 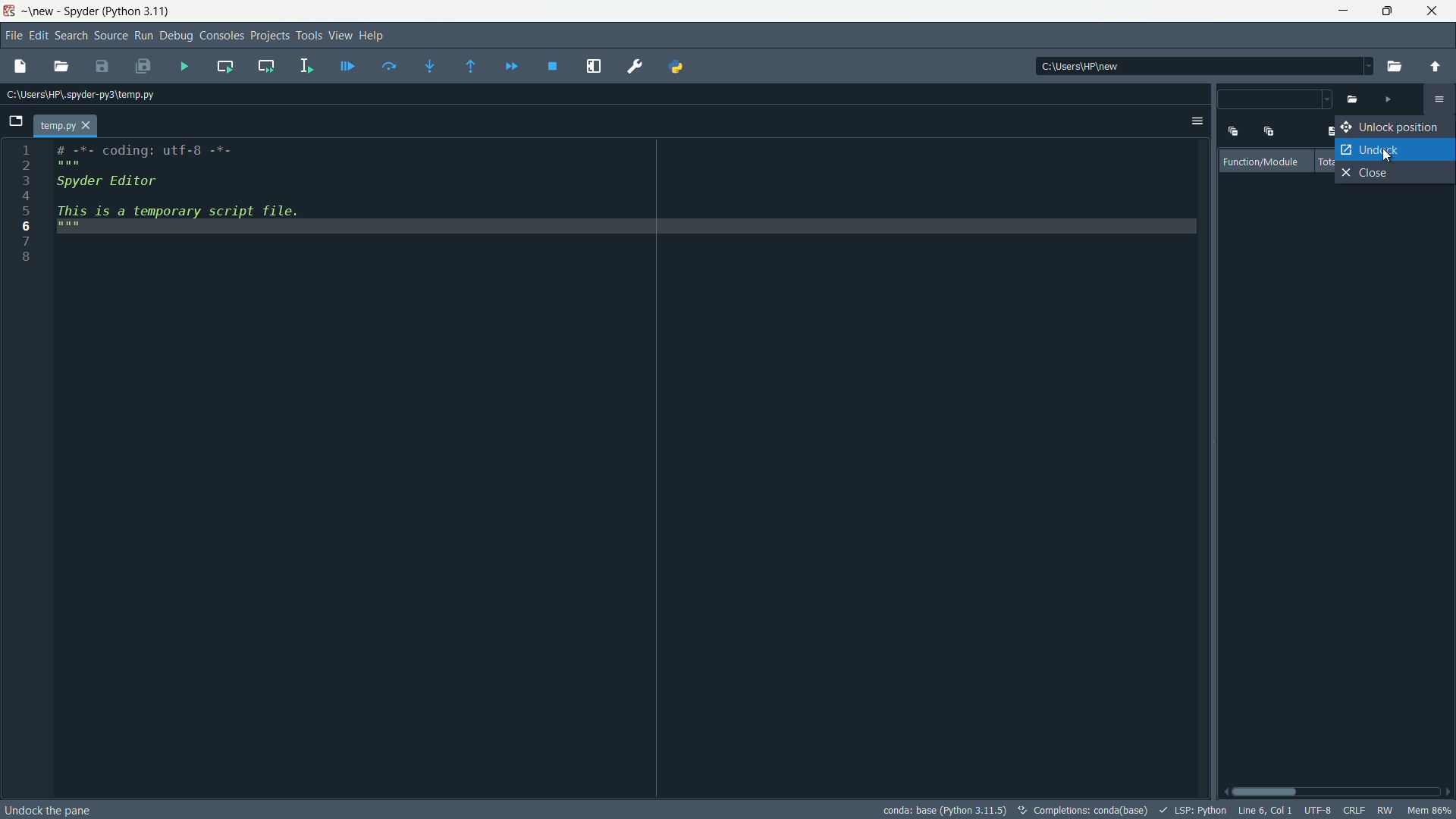 I want to click on app icon, so click(x=11, y=11).